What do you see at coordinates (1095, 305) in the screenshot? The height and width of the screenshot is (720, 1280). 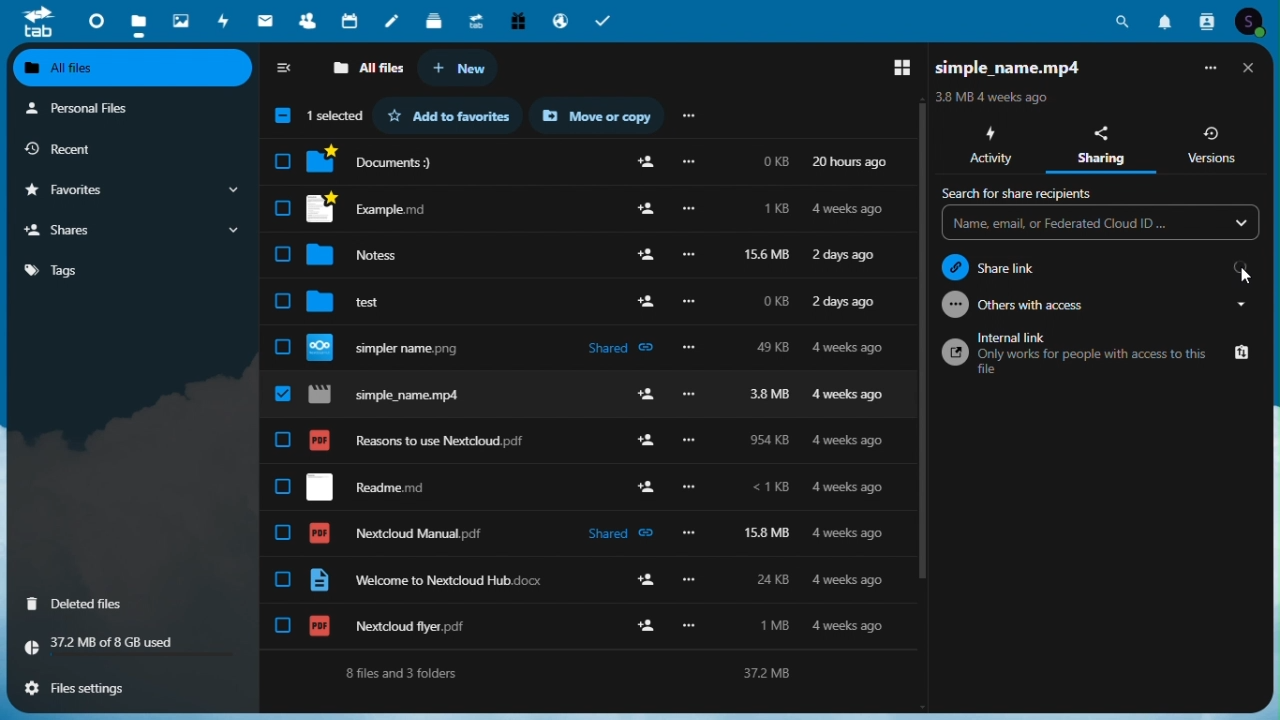 I see `Other` at bounding box center [1095, 305].